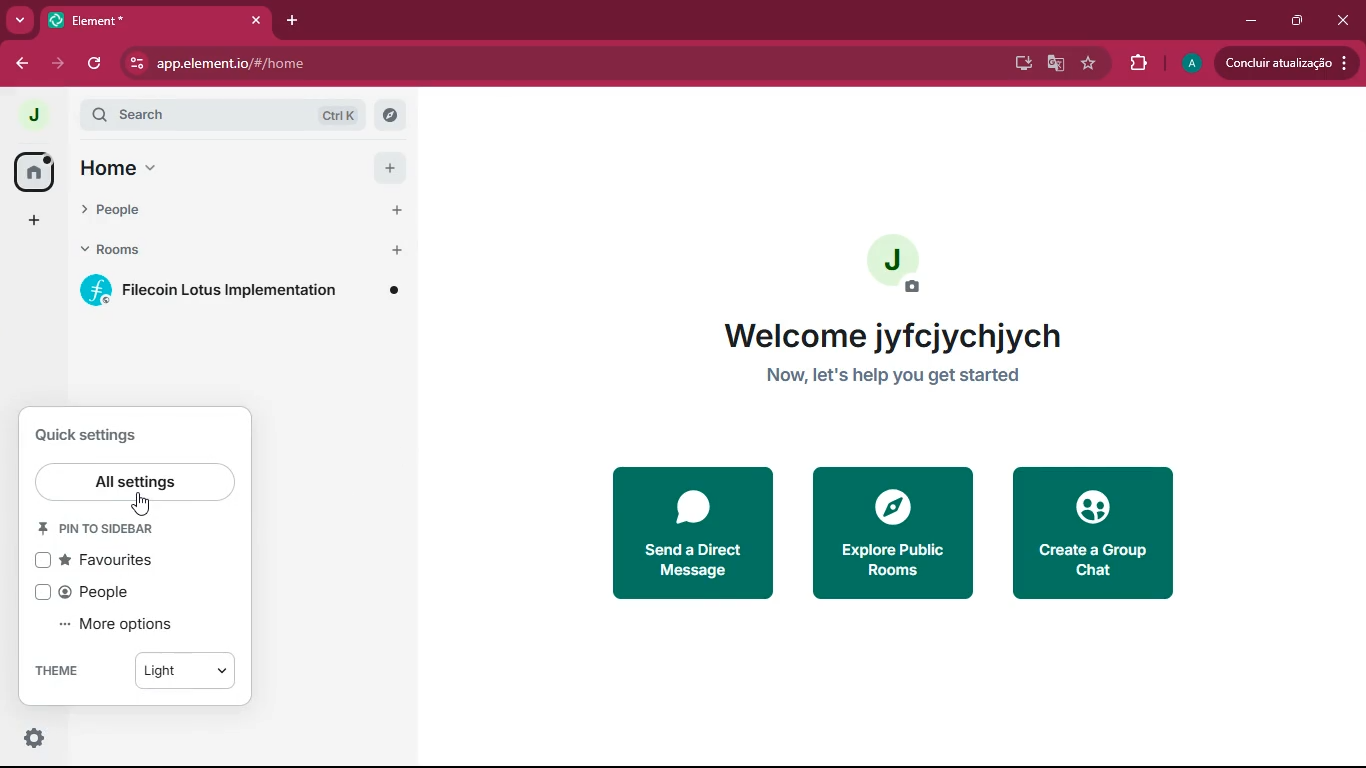 The height and width of the screenshot is (768, 1366). What do you see at coordinates (32, 173) in the screenshot?
I see `home` at bounding box center [32, 173].